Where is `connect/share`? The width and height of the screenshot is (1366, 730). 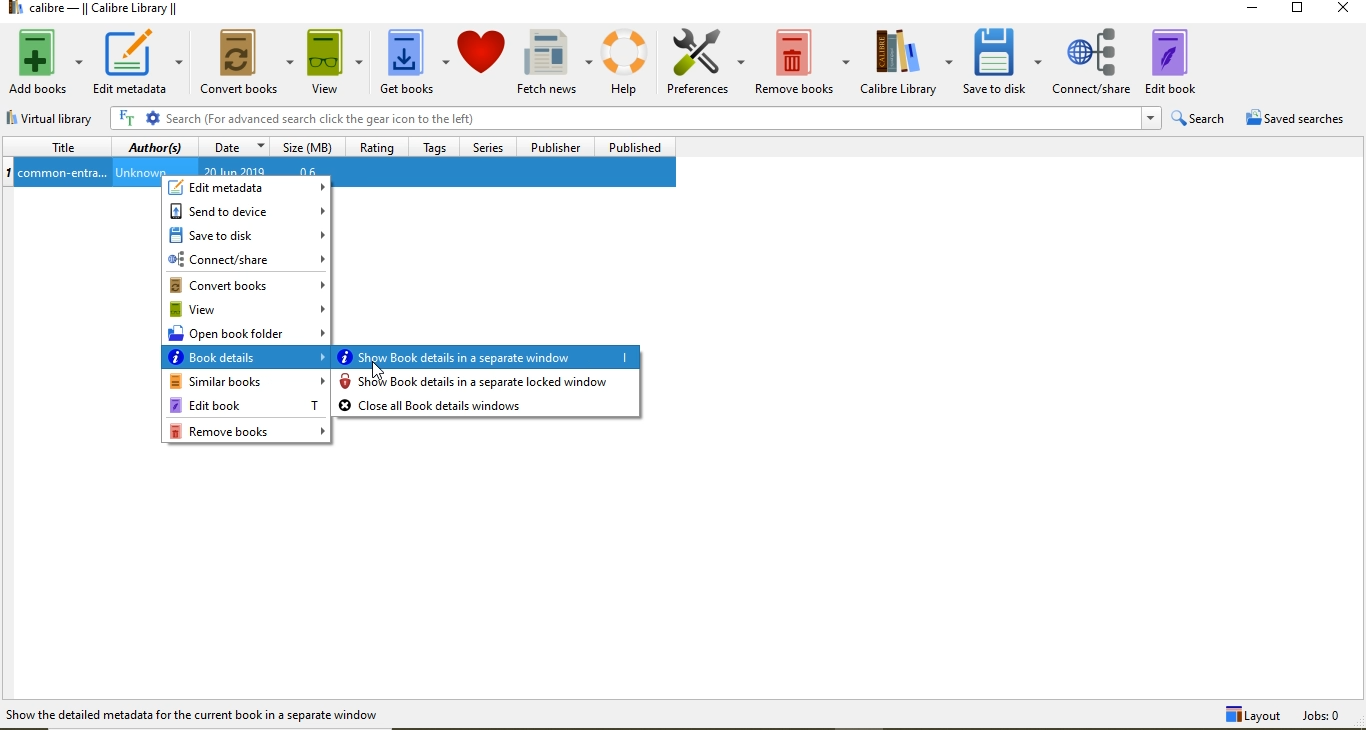
connect/share is located at coordinates (245, 259).